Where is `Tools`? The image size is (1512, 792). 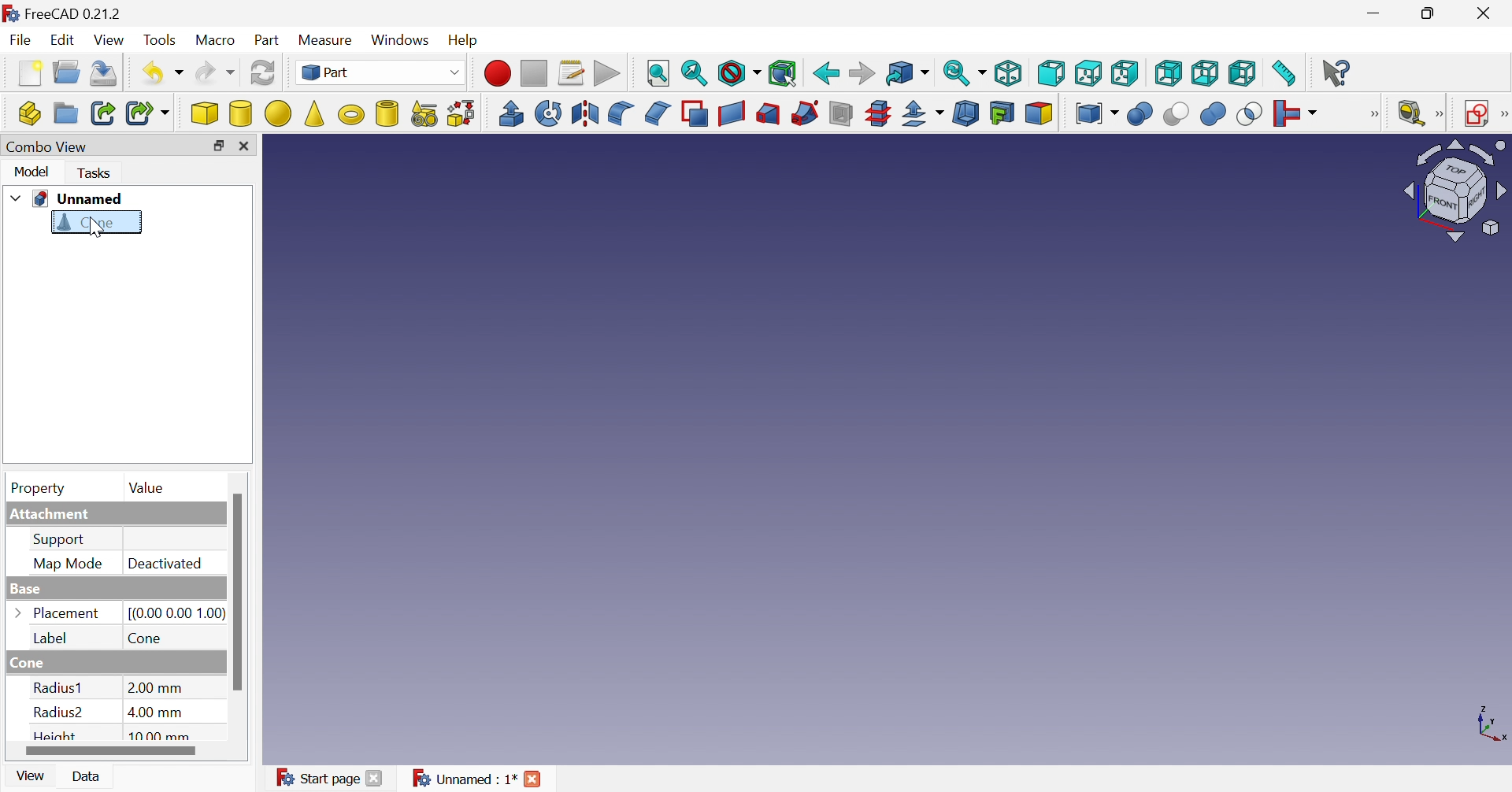 Tools is located at coordinates (161, 37).